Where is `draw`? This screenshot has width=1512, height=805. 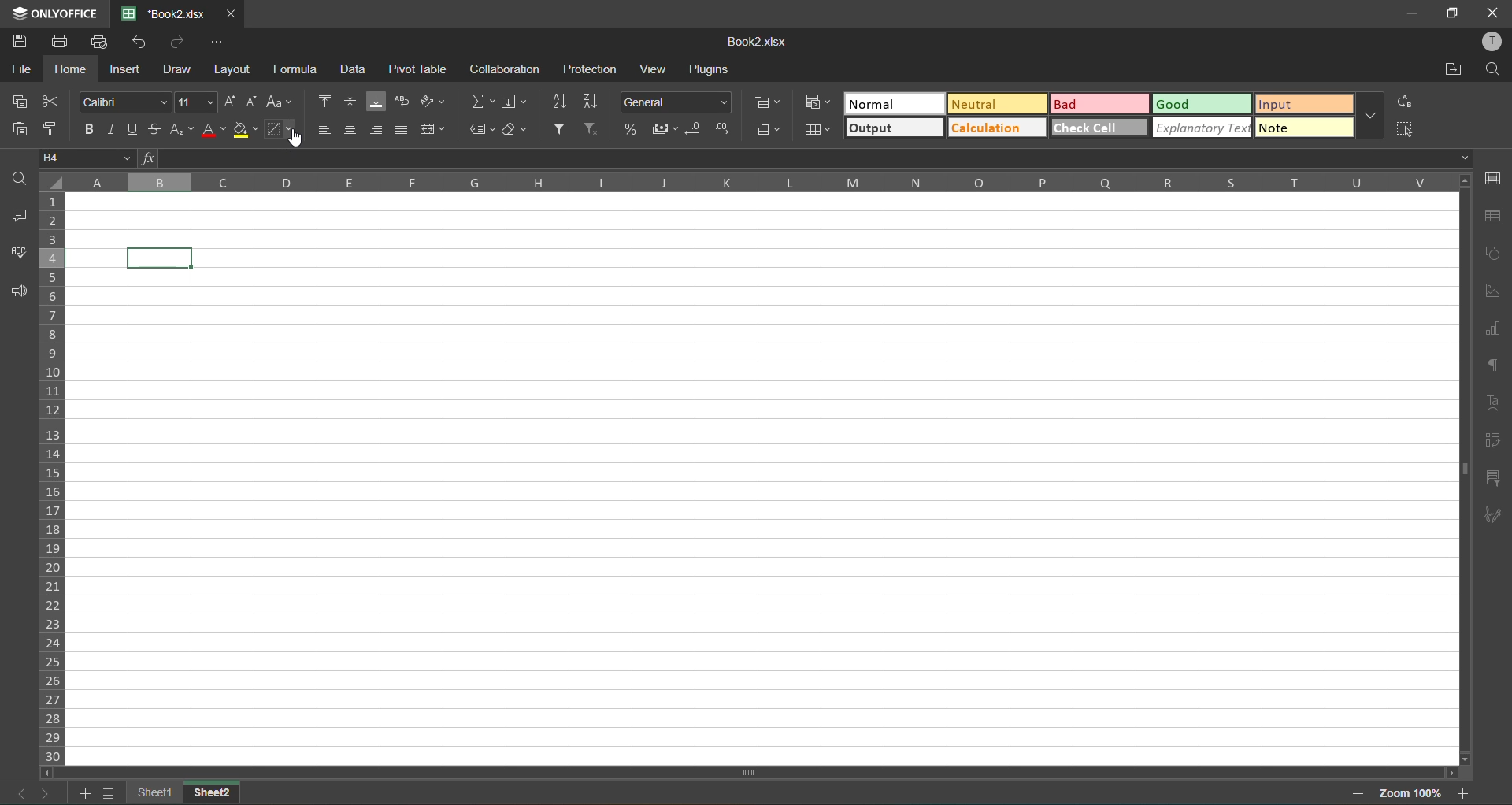 draw is located at coordinates (180, 68).